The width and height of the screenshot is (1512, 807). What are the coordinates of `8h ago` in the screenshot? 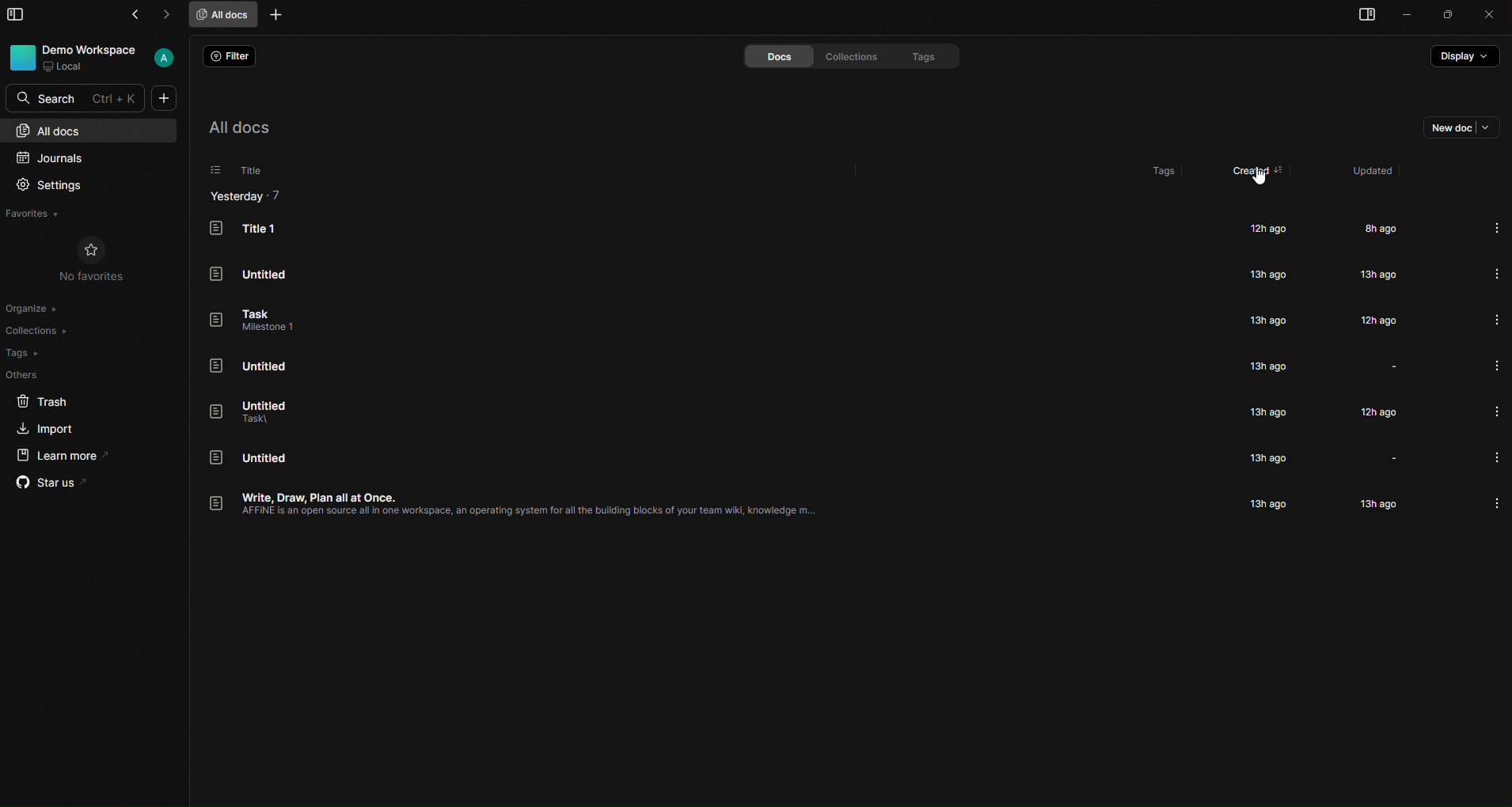 It's located at (1376, 229).